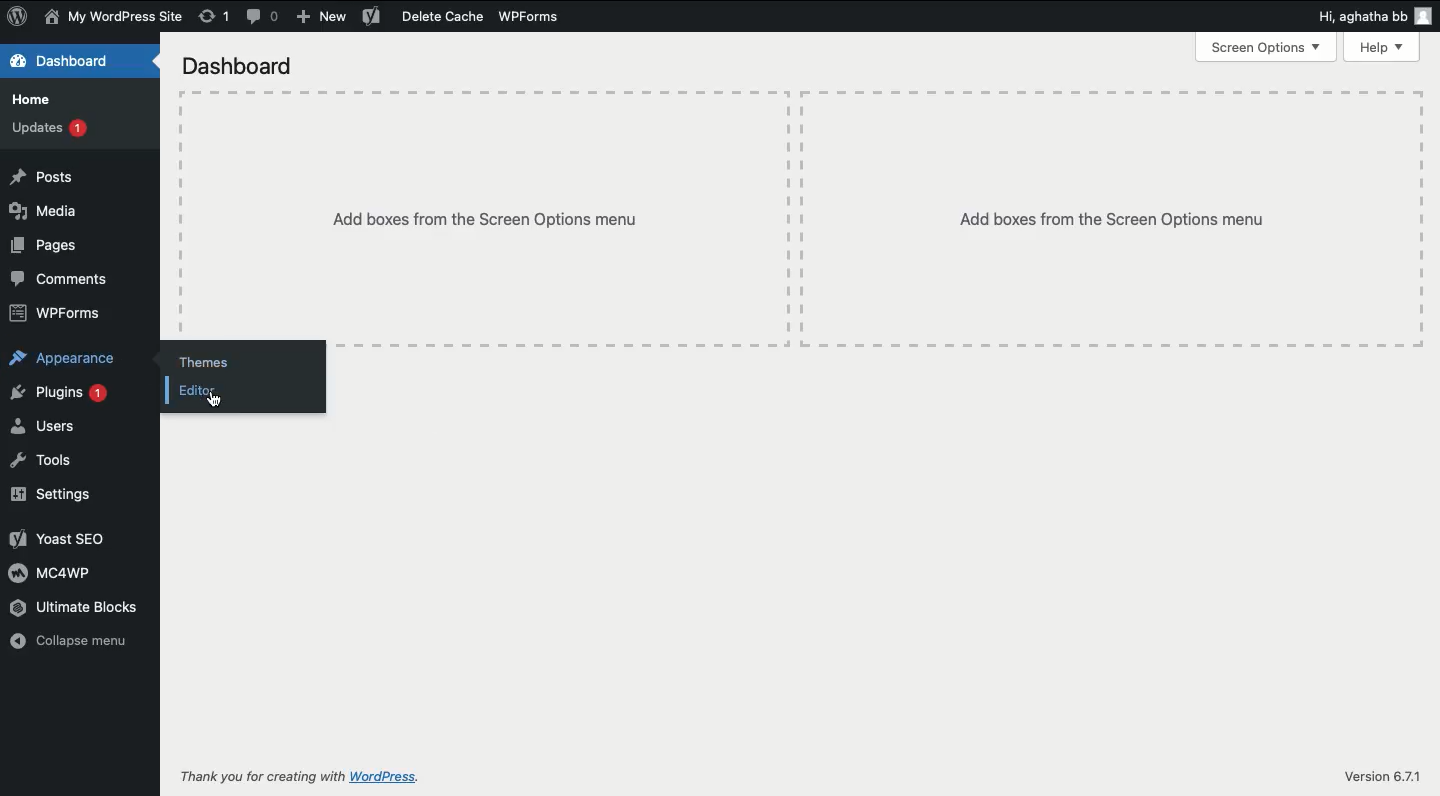  Describe the element at coordinates (1081, 206) in the screenshot. I see `Add boxes from the Screen Options menu` at that location.